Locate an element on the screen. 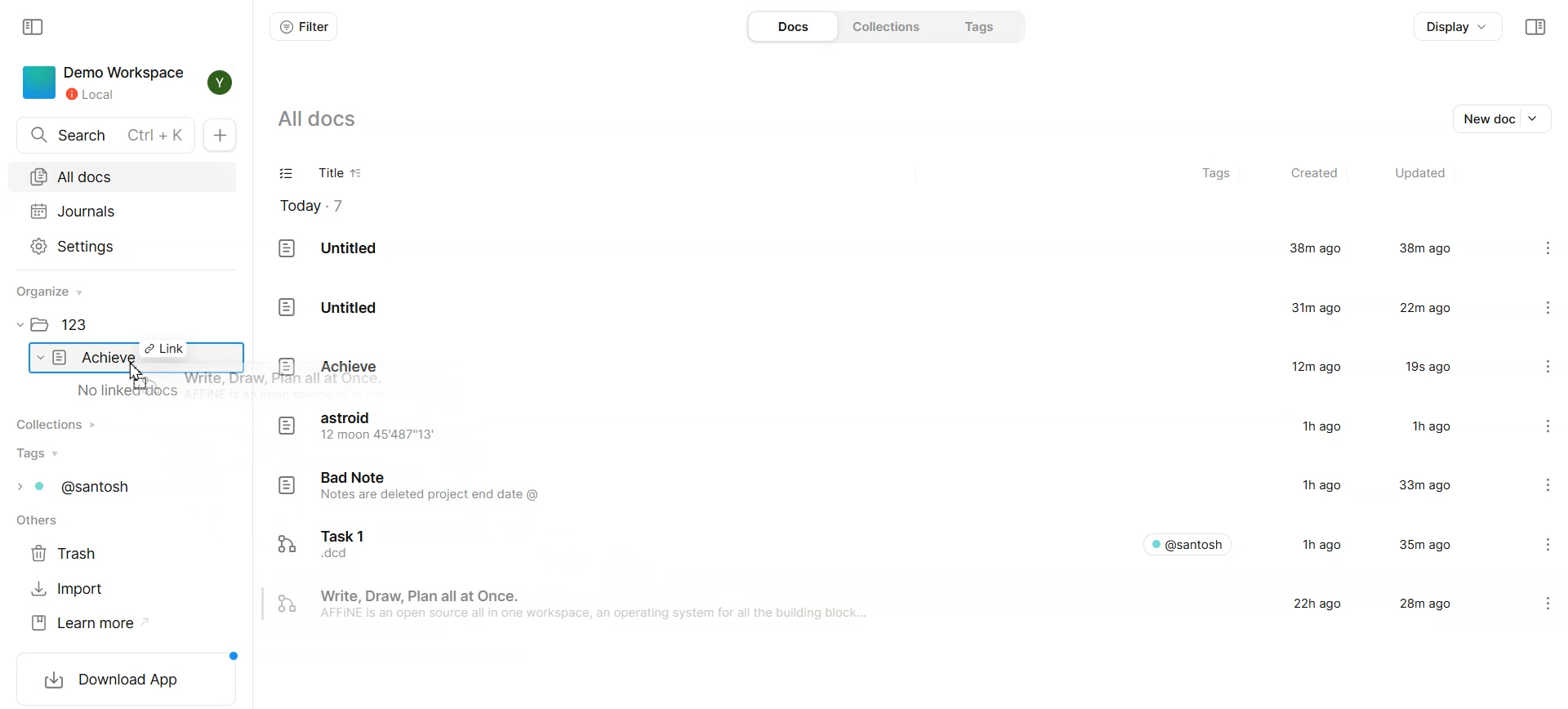  Tags is located at coordinates (41, 453).